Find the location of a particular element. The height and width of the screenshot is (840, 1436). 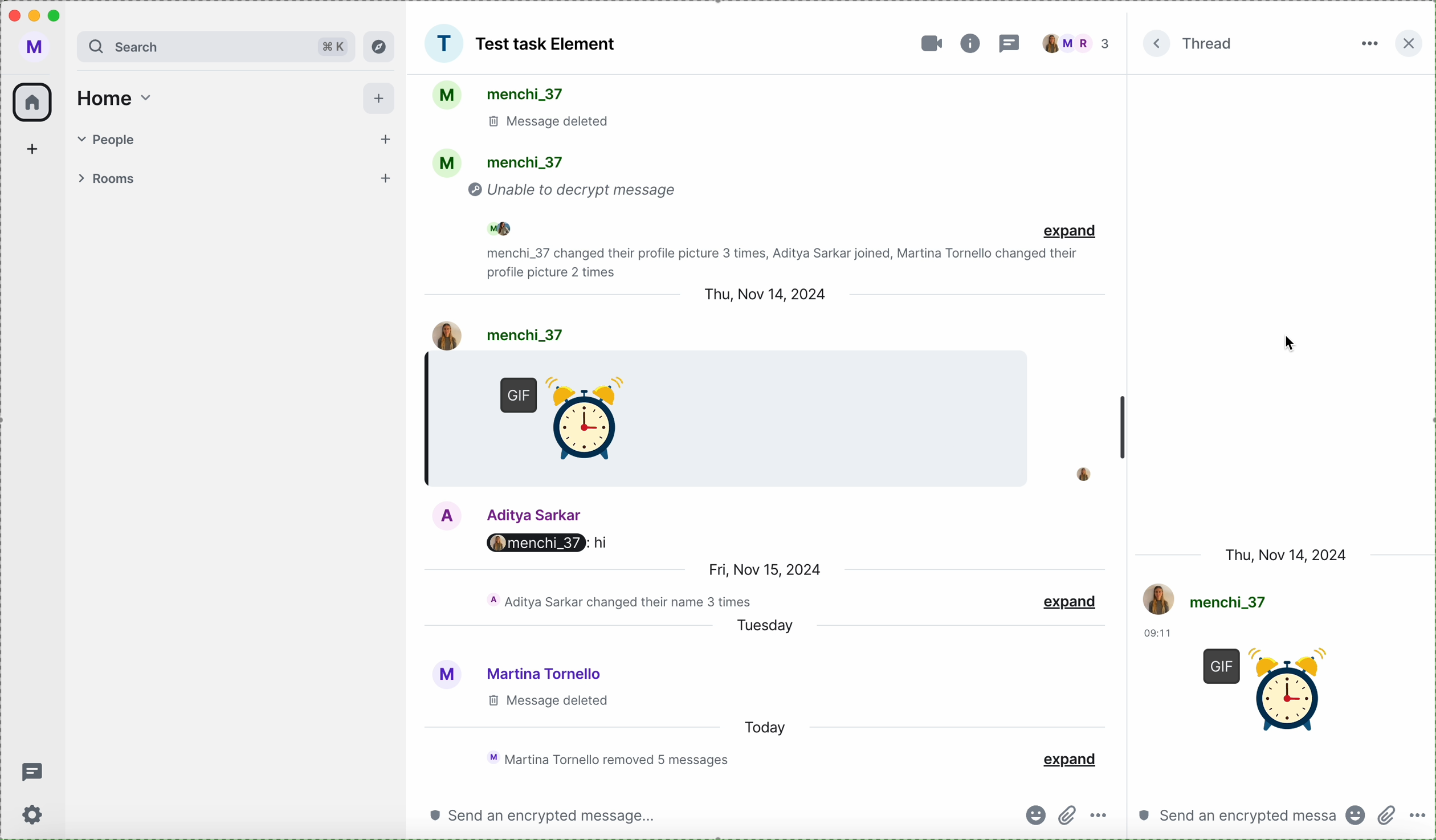

people is located at coordinates (239, 137).